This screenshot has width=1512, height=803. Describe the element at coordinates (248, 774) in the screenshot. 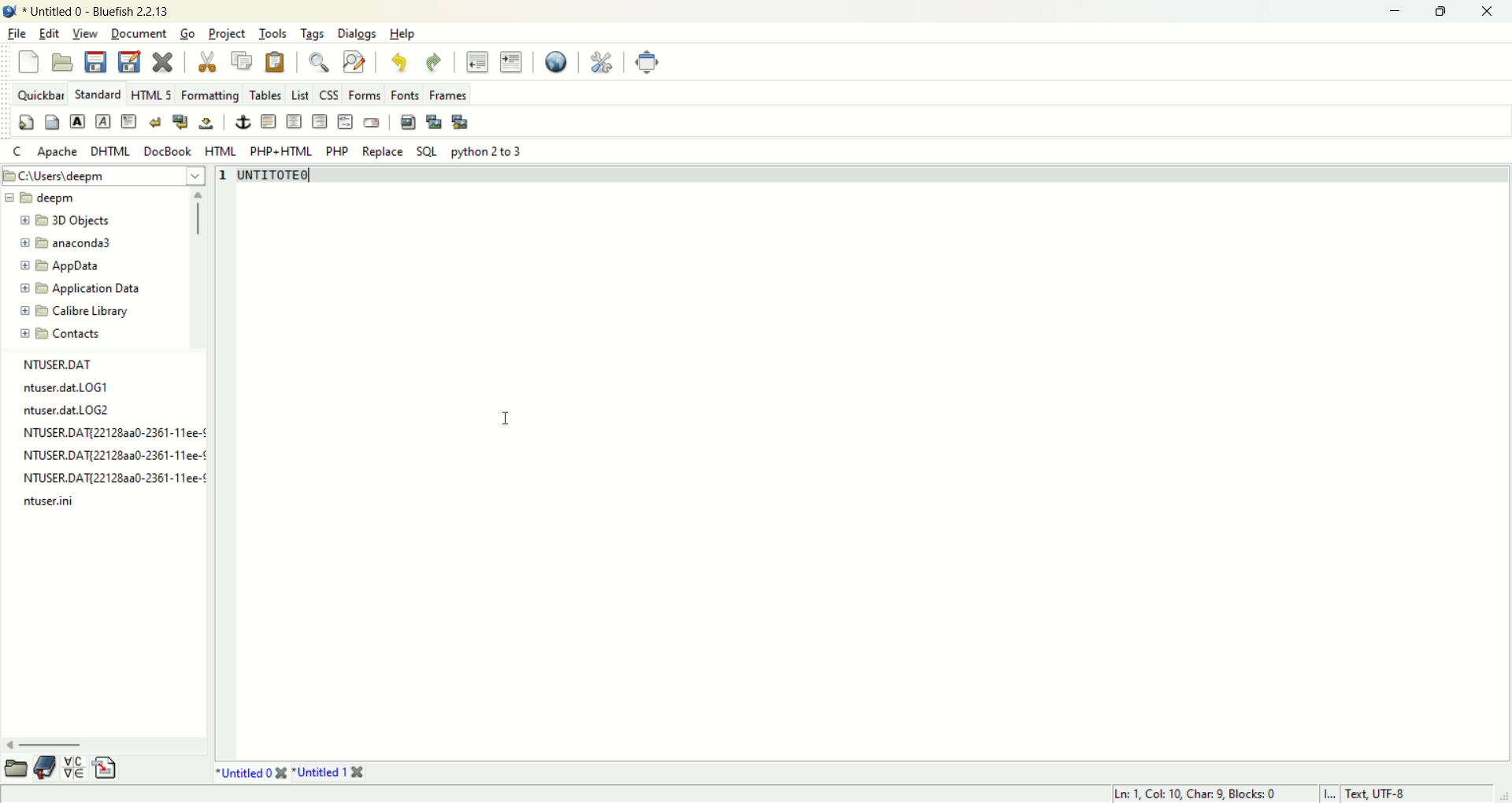

I see `untitle0` at that location.